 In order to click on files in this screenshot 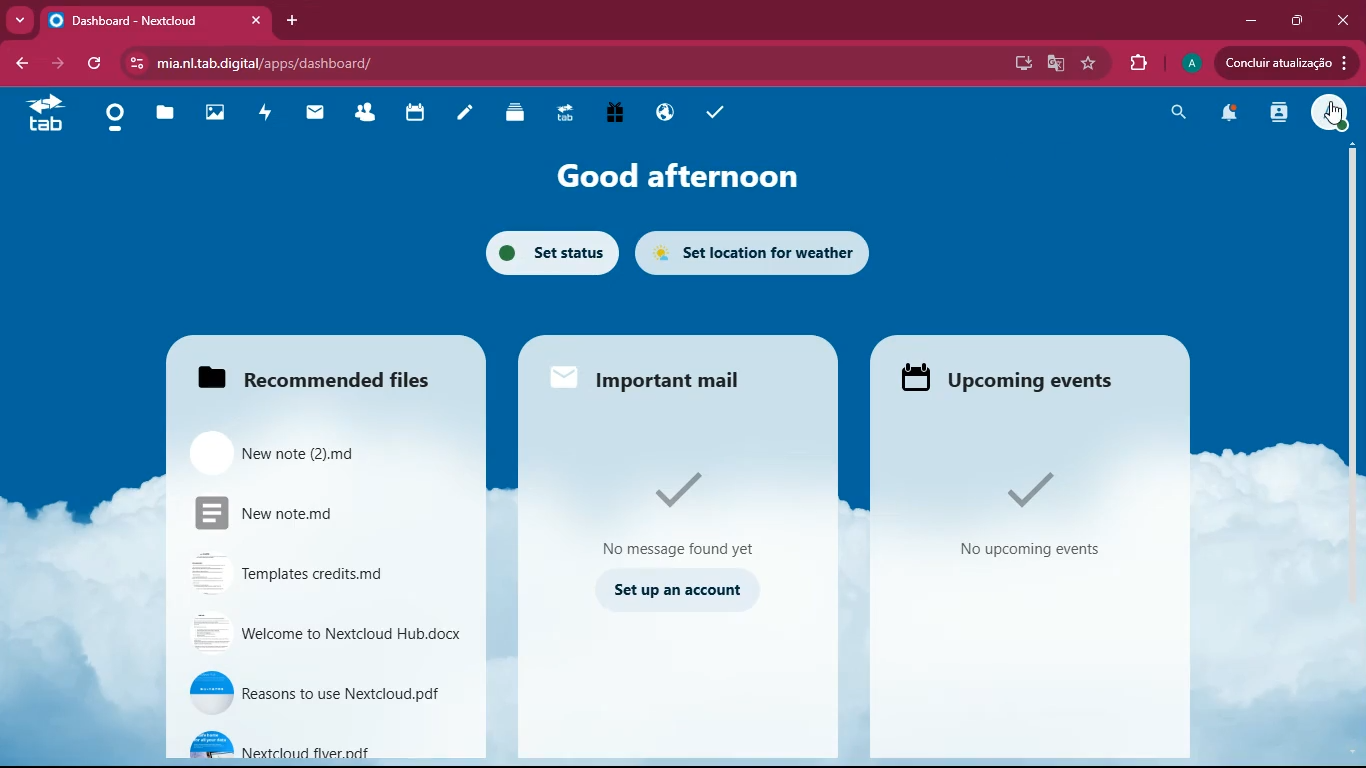, I will do `click(161, 117)`.